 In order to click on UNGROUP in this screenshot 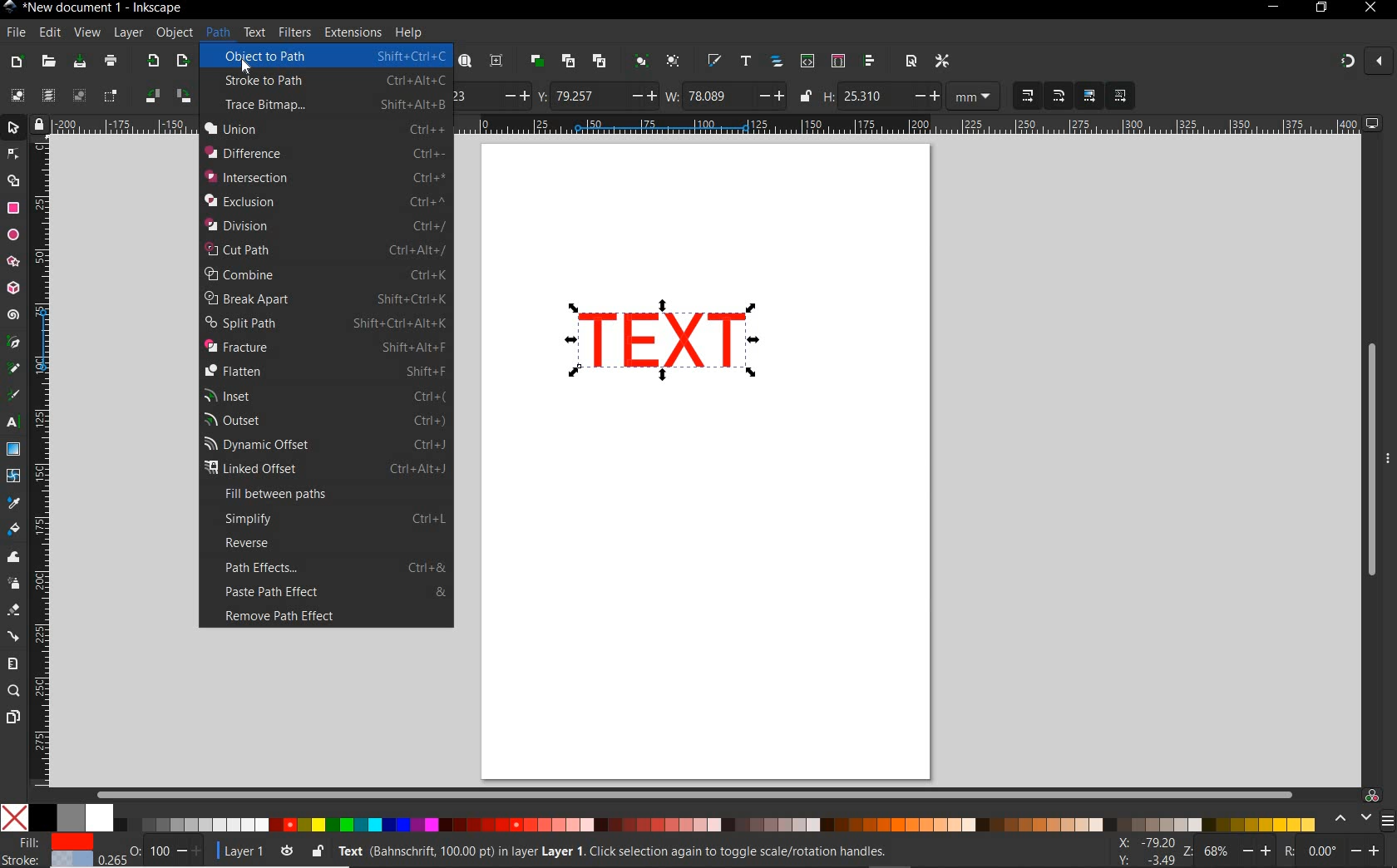, I will do `click(674, 62)`.